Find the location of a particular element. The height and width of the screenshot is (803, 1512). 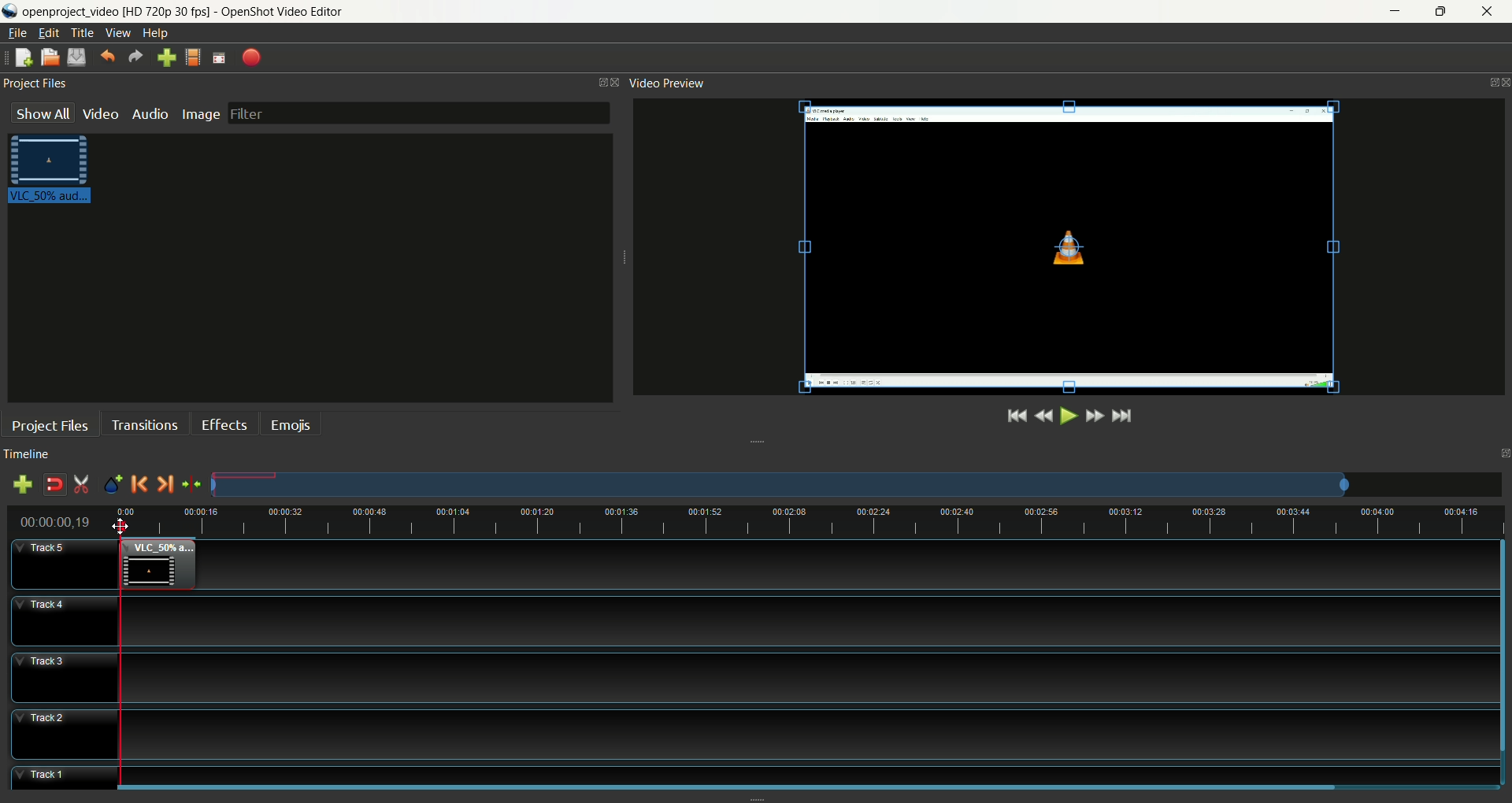

zoom factor is located at coordinates (857, 485).